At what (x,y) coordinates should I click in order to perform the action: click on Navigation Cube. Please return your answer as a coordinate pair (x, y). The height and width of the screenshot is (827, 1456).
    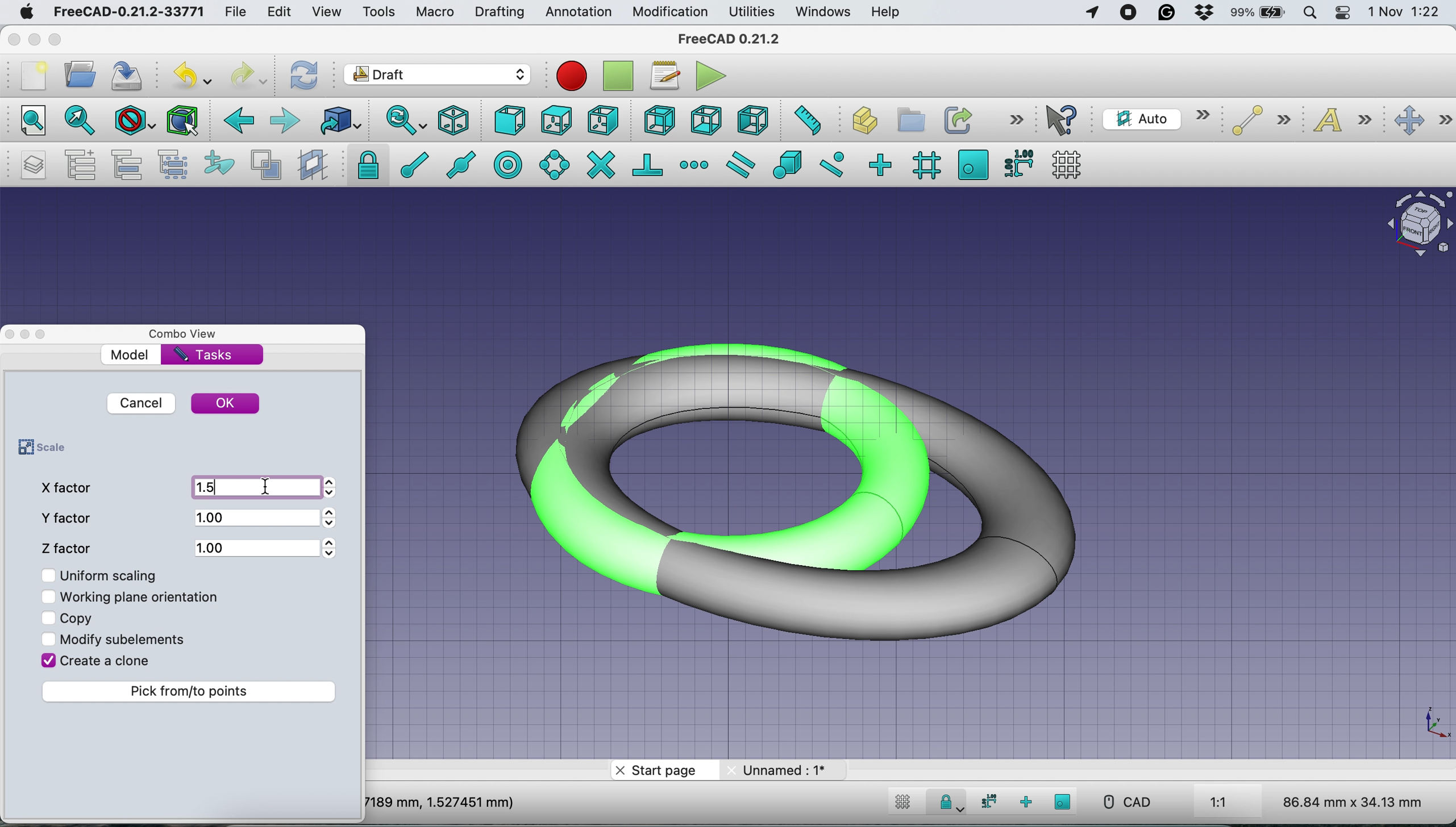
    Looking at the image, I should click on (1414, 224).